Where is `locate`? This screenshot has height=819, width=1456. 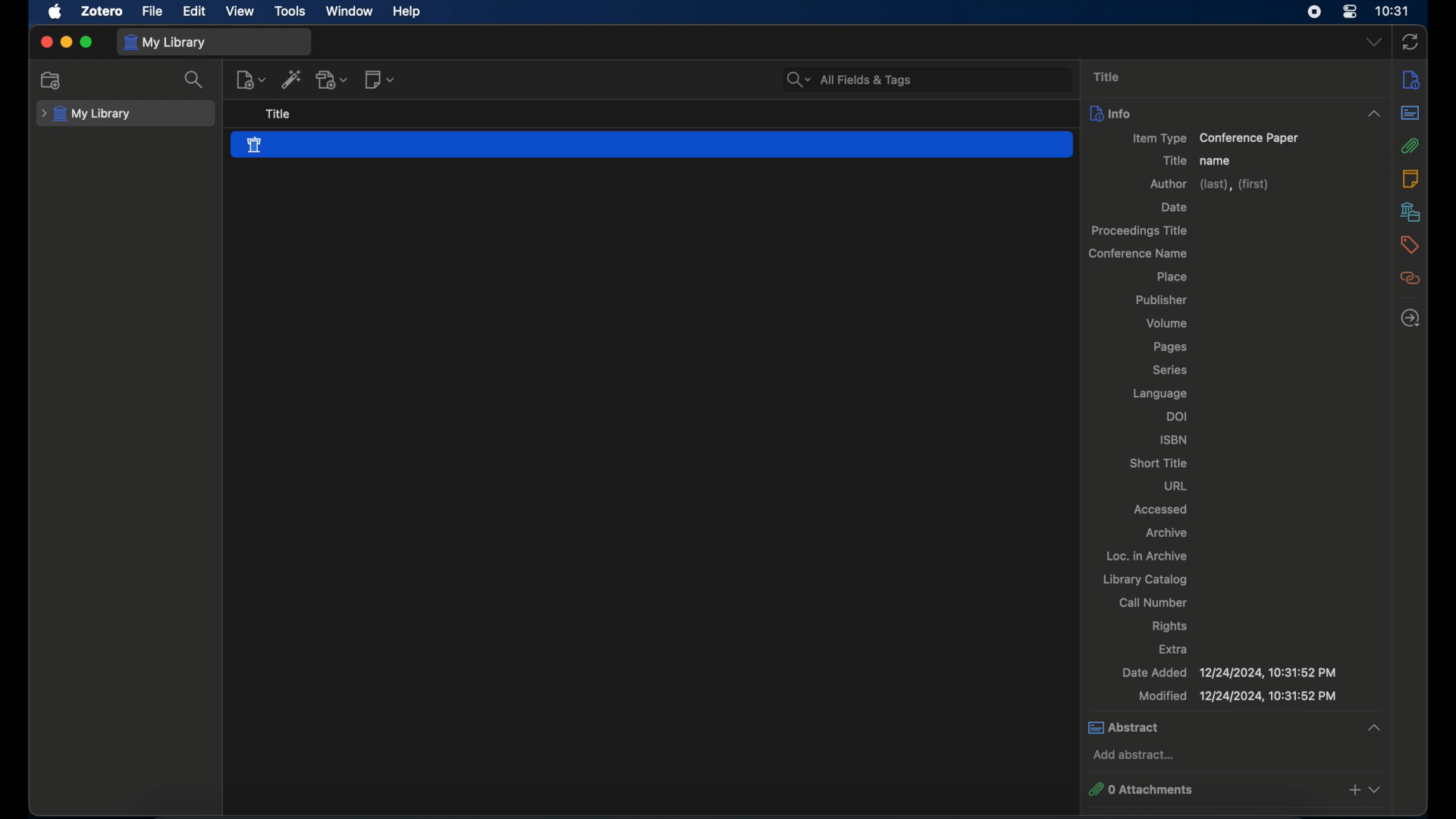
locate is located at coordinates (1410, 317).